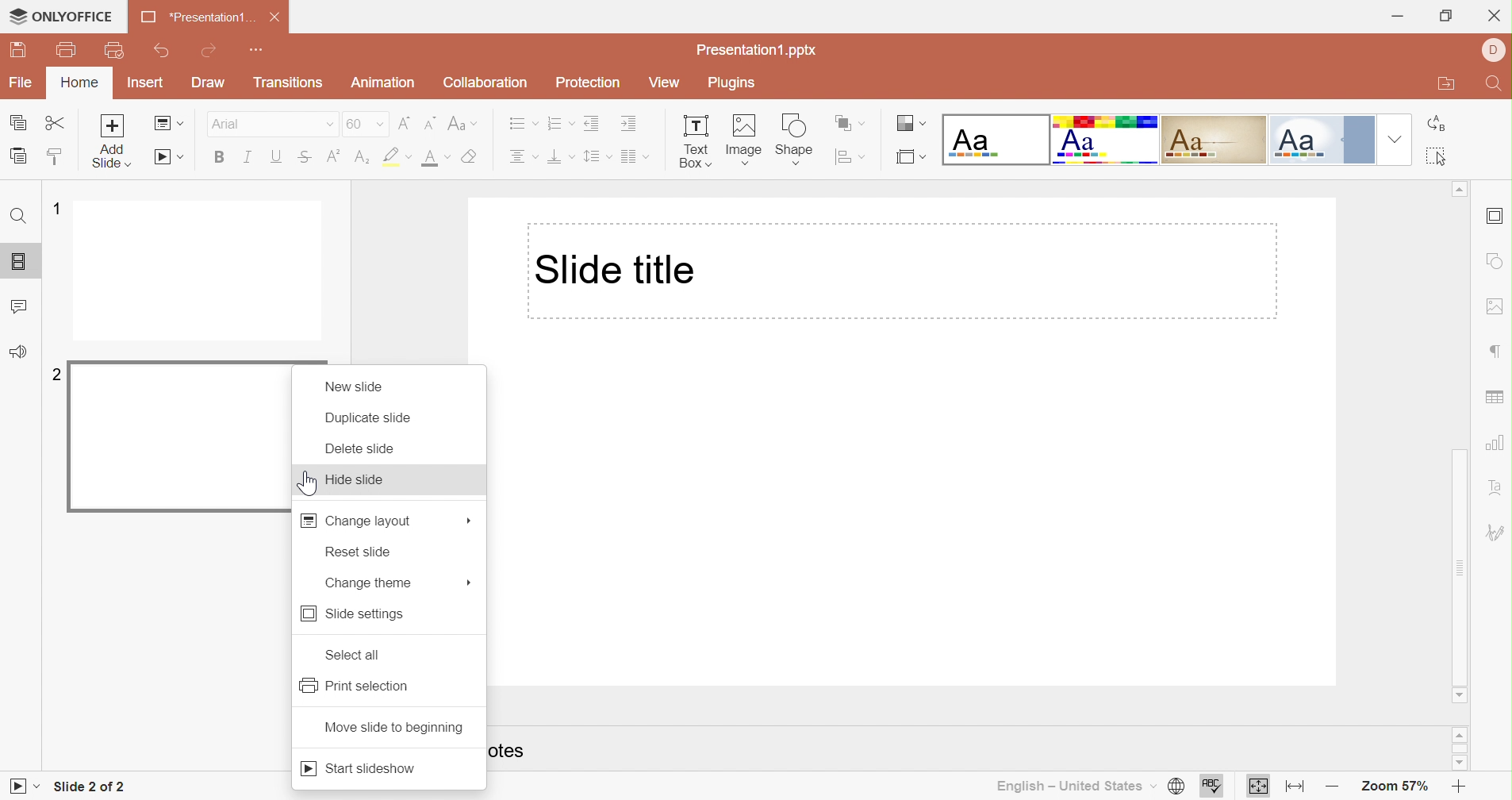  Describe the element at coordinates (23, 308) in the screenshot. I see `Comments` at that location.